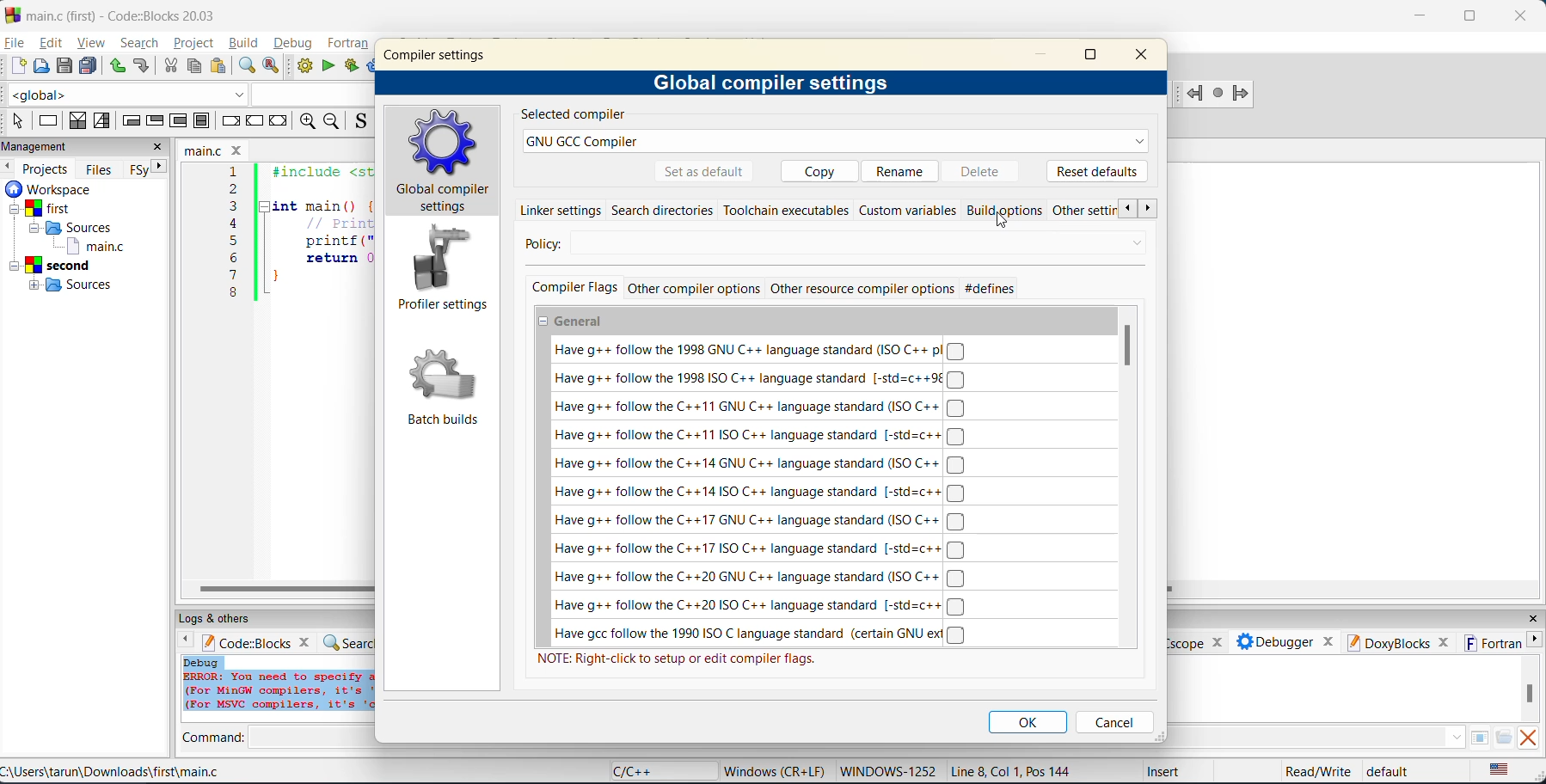 This screenshot has height=784, width=1546. What do you see at coordinates (755, 350) in the screenshot?
I see `Have g++ follow the 1998 GNU C++ language standard (150 C++ pi` at bounding box center [755, 350].